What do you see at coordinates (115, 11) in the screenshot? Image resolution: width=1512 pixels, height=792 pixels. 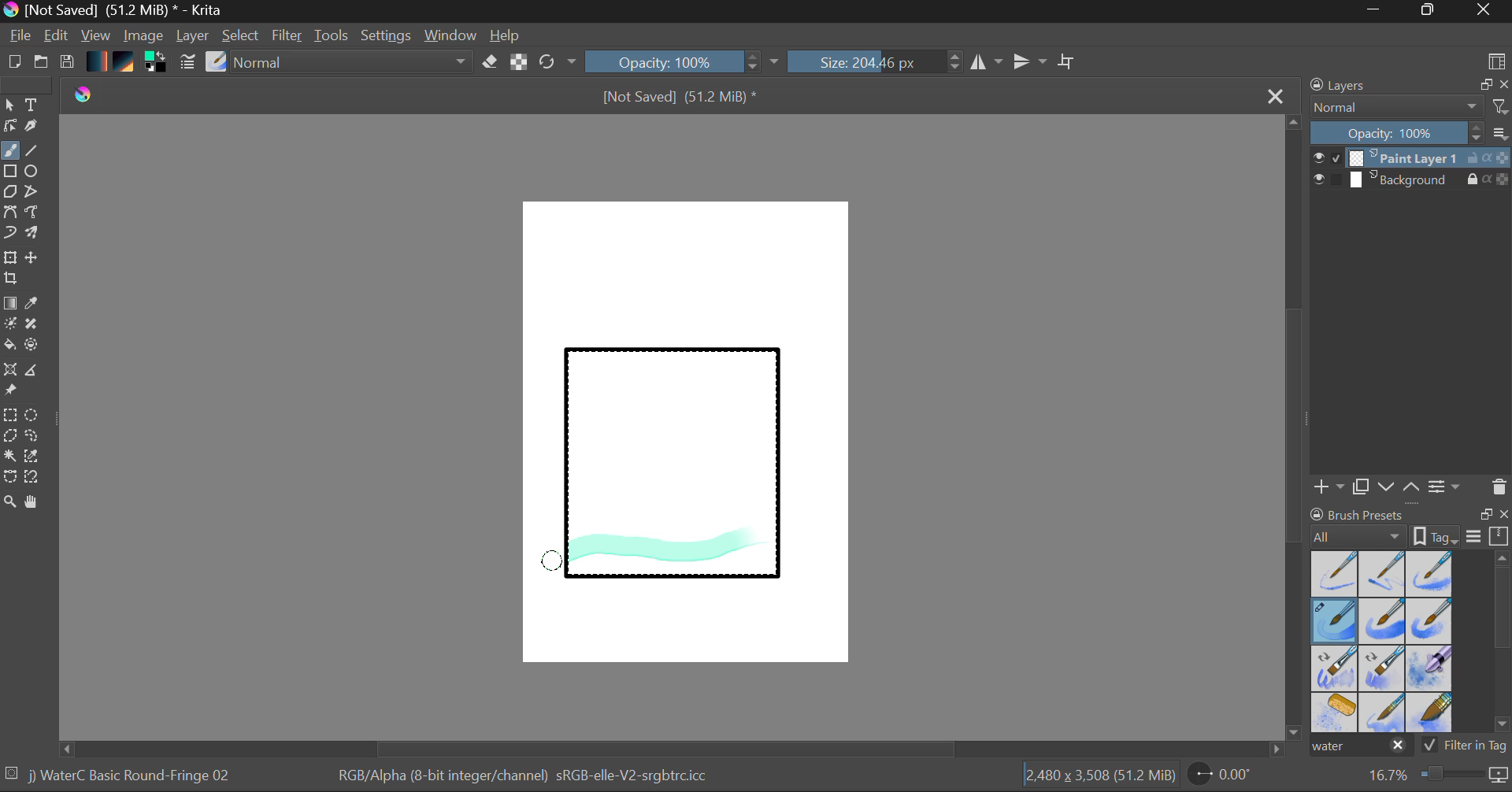 I see `Window Title` at bounding box center [115, 11].